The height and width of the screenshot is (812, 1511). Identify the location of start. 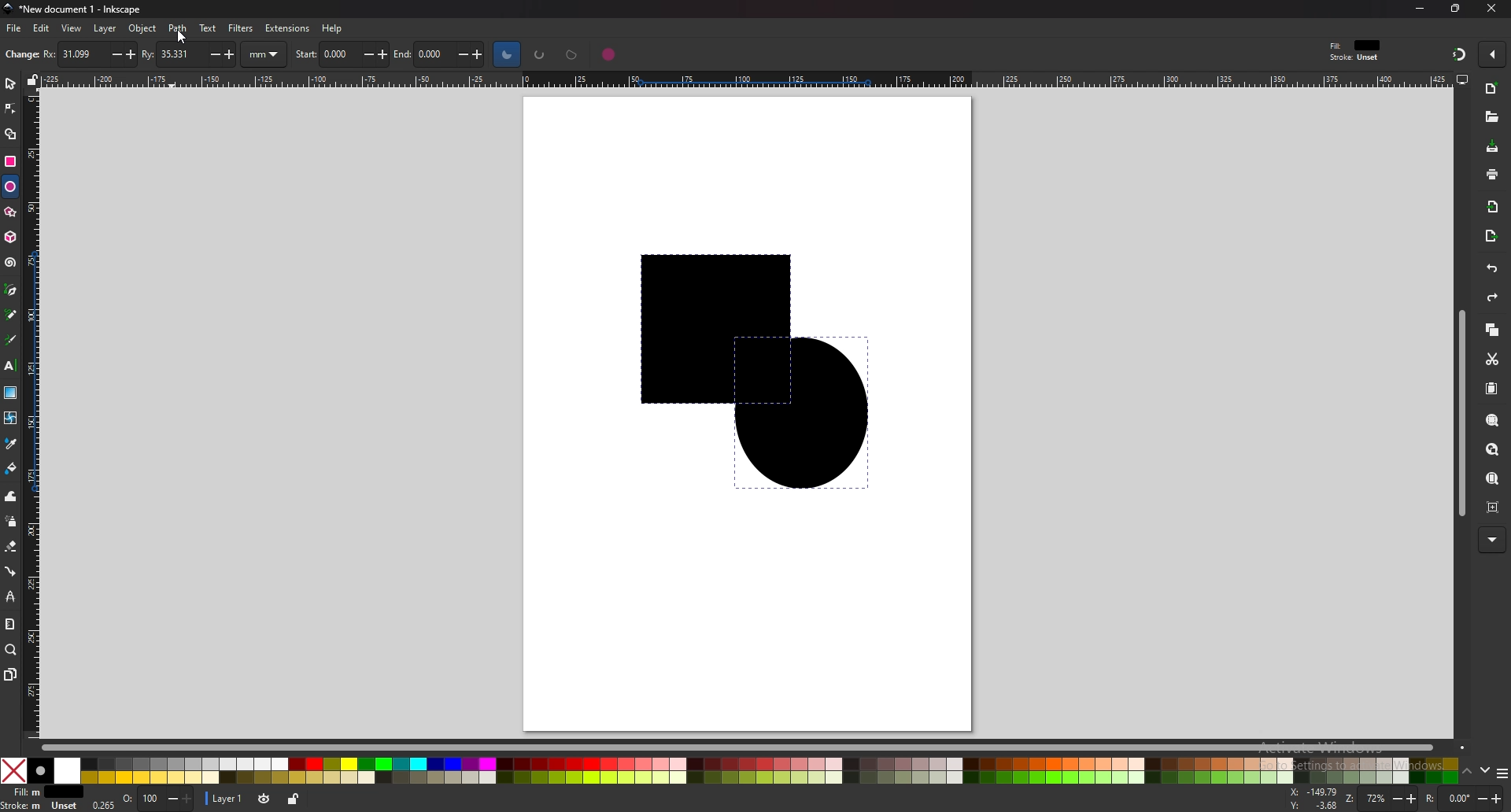
(342, 53).